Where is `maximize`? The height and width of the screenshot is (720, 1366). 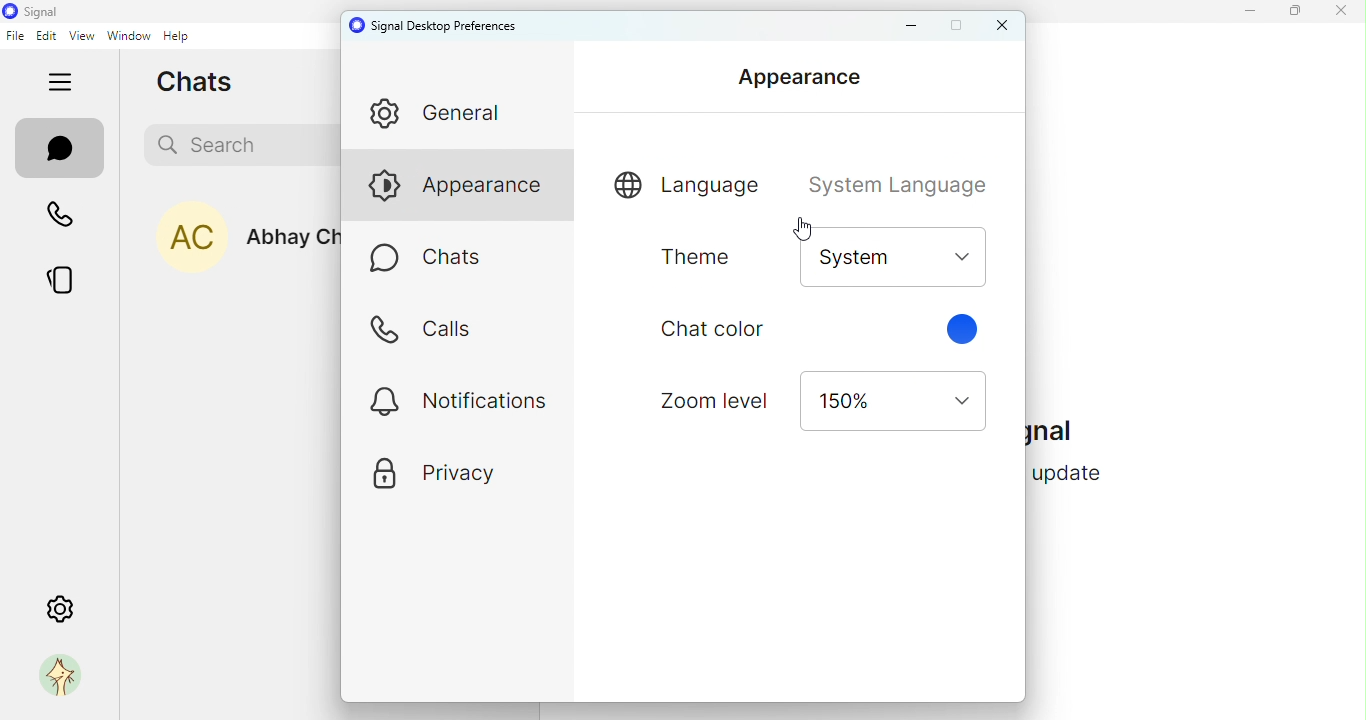
maximize is located at coordinates (1299, 15).